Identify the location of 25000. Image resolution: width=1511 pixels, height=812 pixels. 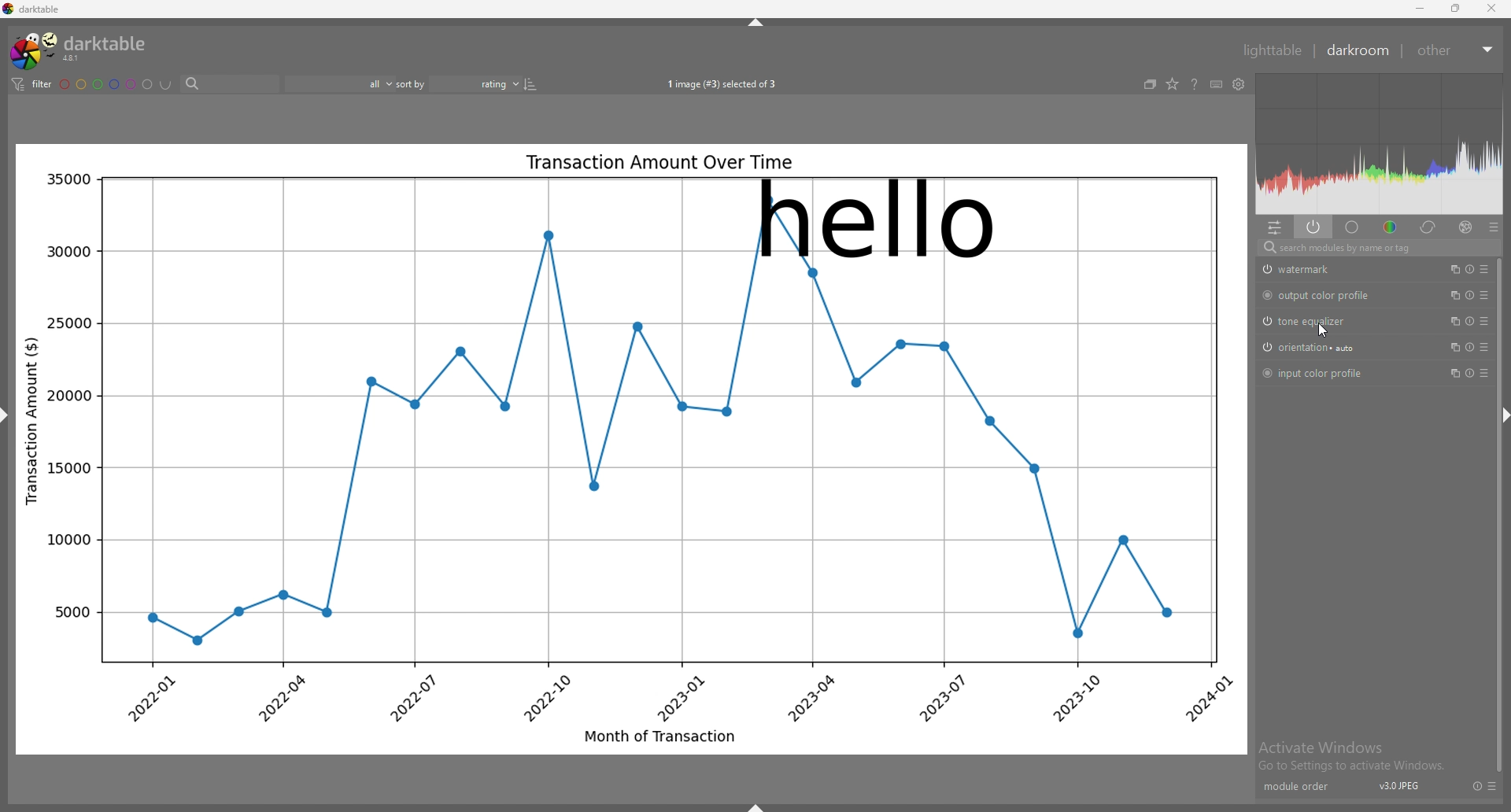
(68, 322).